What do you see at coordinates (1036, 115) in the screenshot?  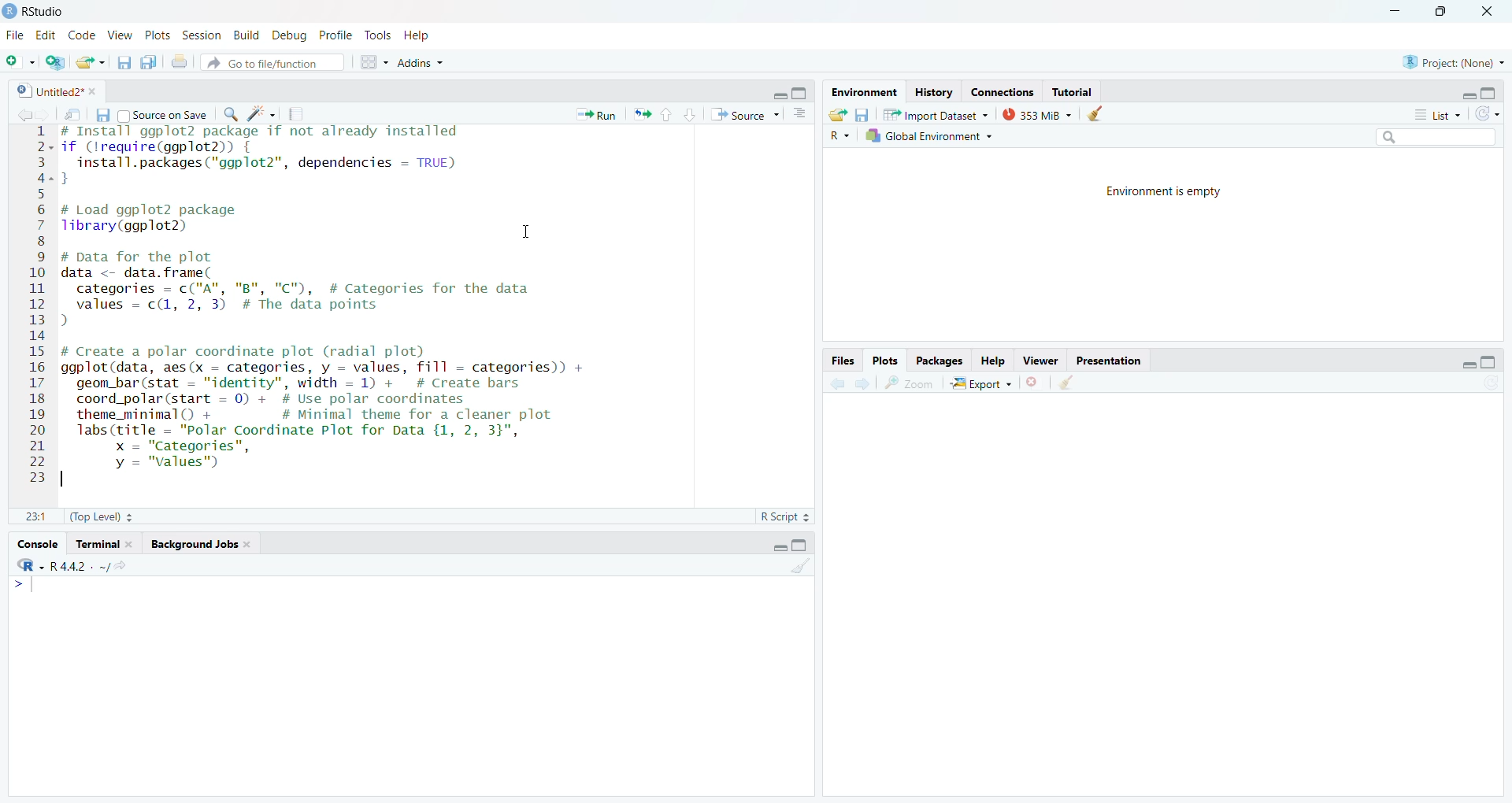 I see ` 353 MB ~` at bounding box center [1036, 115].